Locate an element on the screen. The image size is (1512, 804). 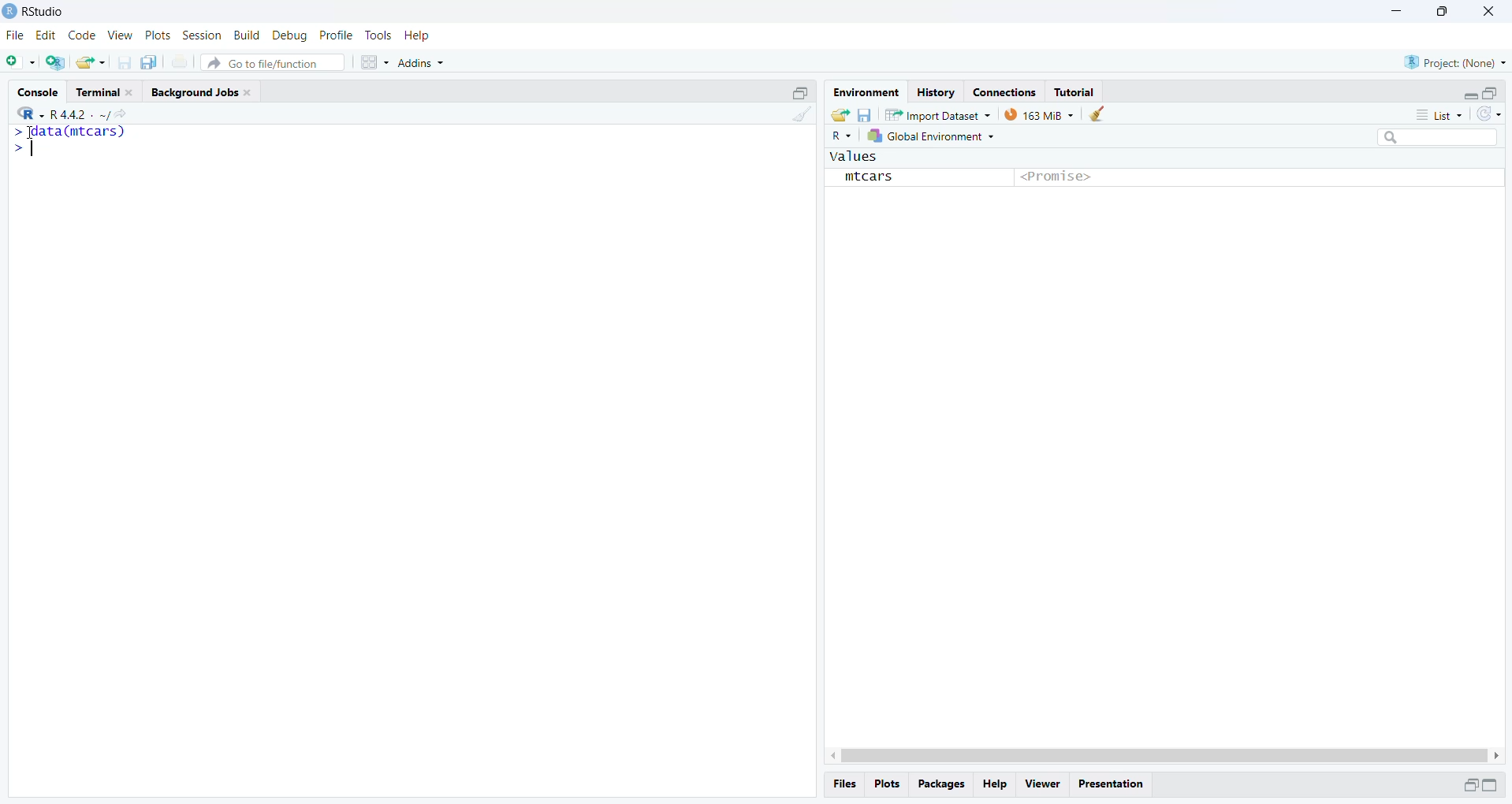
R~ is located at coordinates (844, 136).